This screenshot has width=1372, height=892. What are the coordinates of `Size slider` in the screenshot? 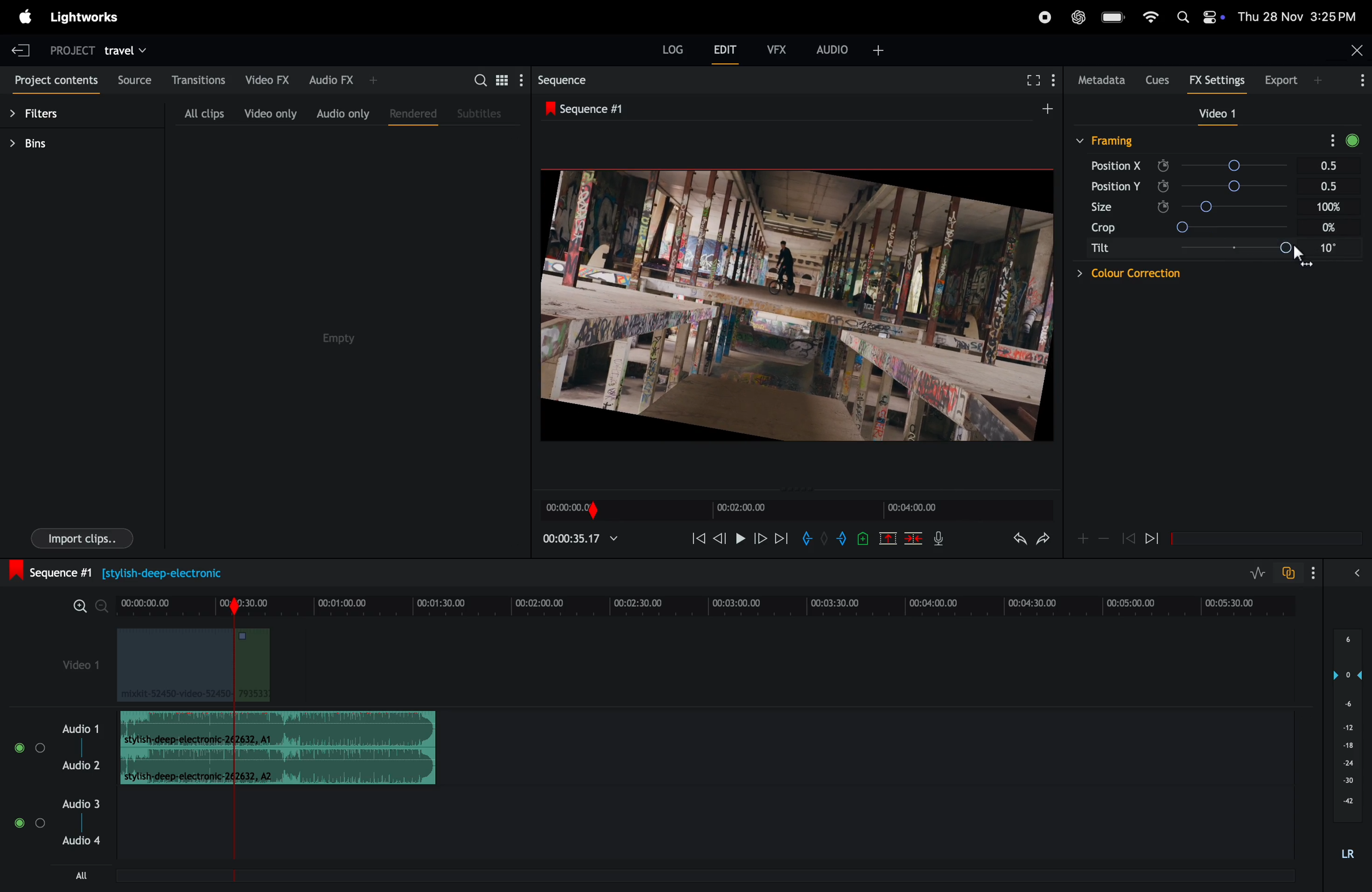 It's located at (1261, 206).